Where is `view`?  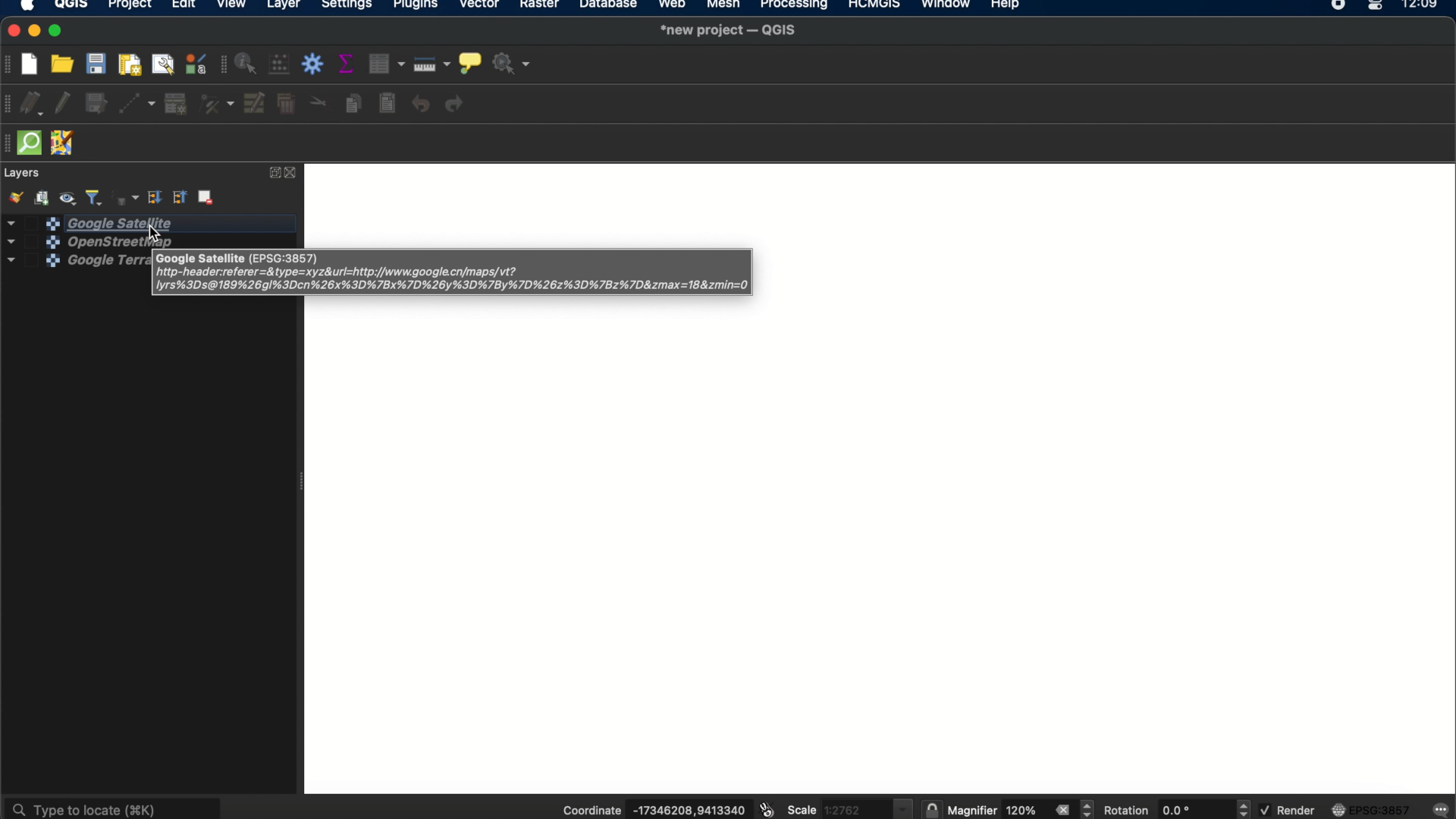
view is located at coordinates (233, 6).